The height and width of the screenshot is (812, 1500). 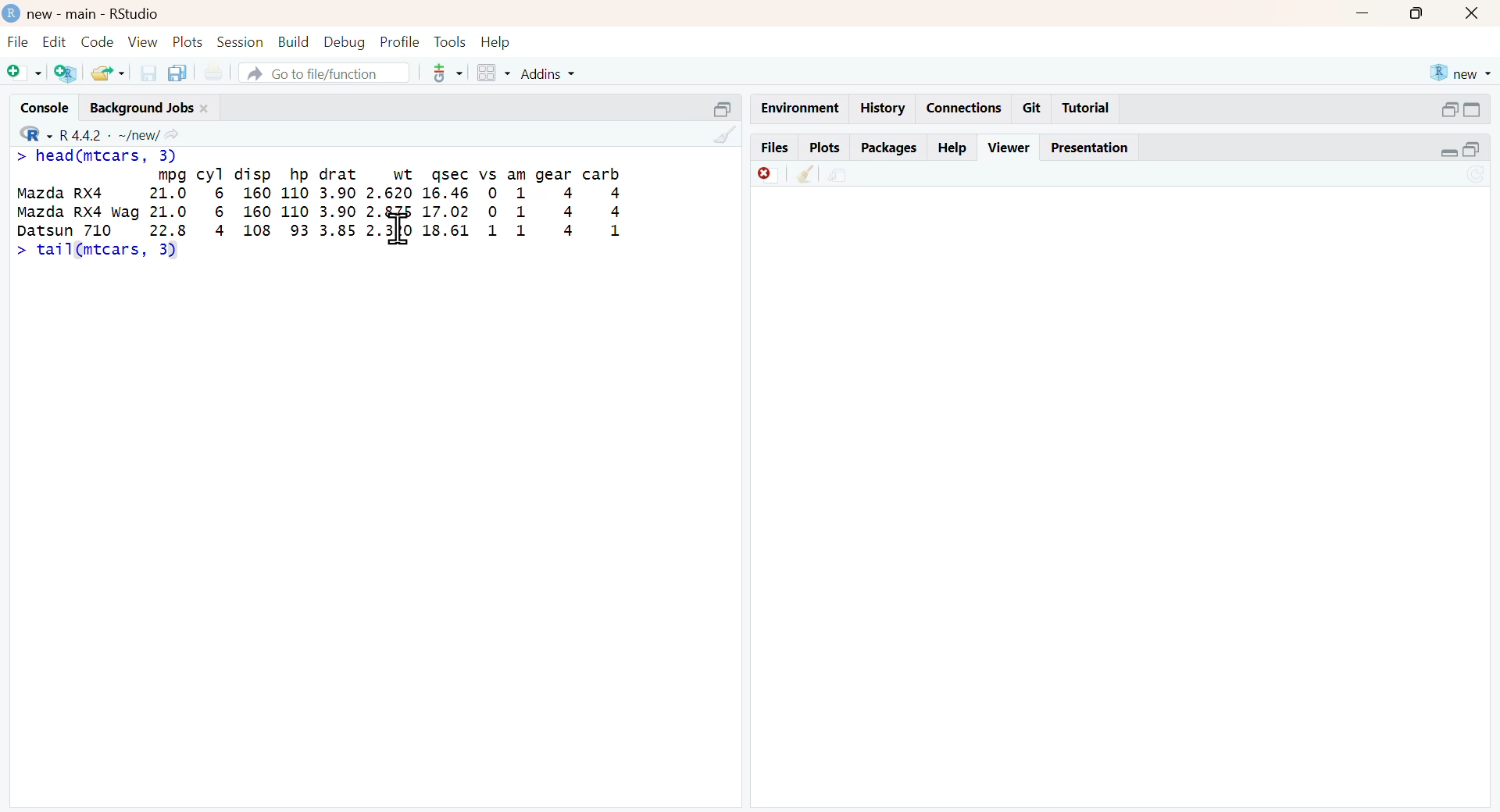 I want to click on ) new - main - RStudio, so click(x=114, y=13).